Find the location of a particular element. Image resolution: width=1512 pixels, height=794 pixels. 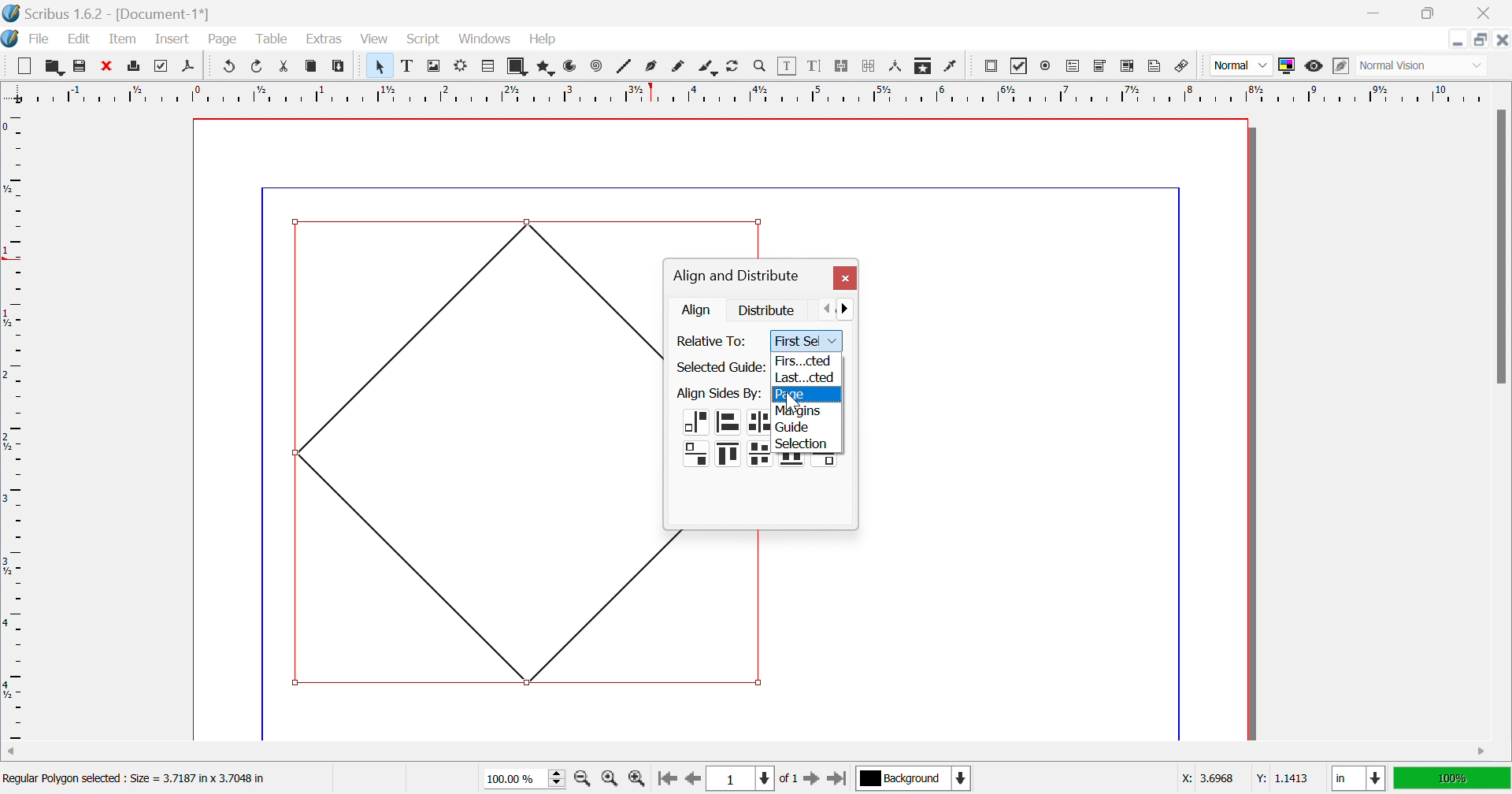

x: 3.6968 is located at coordinates (1210, 778).